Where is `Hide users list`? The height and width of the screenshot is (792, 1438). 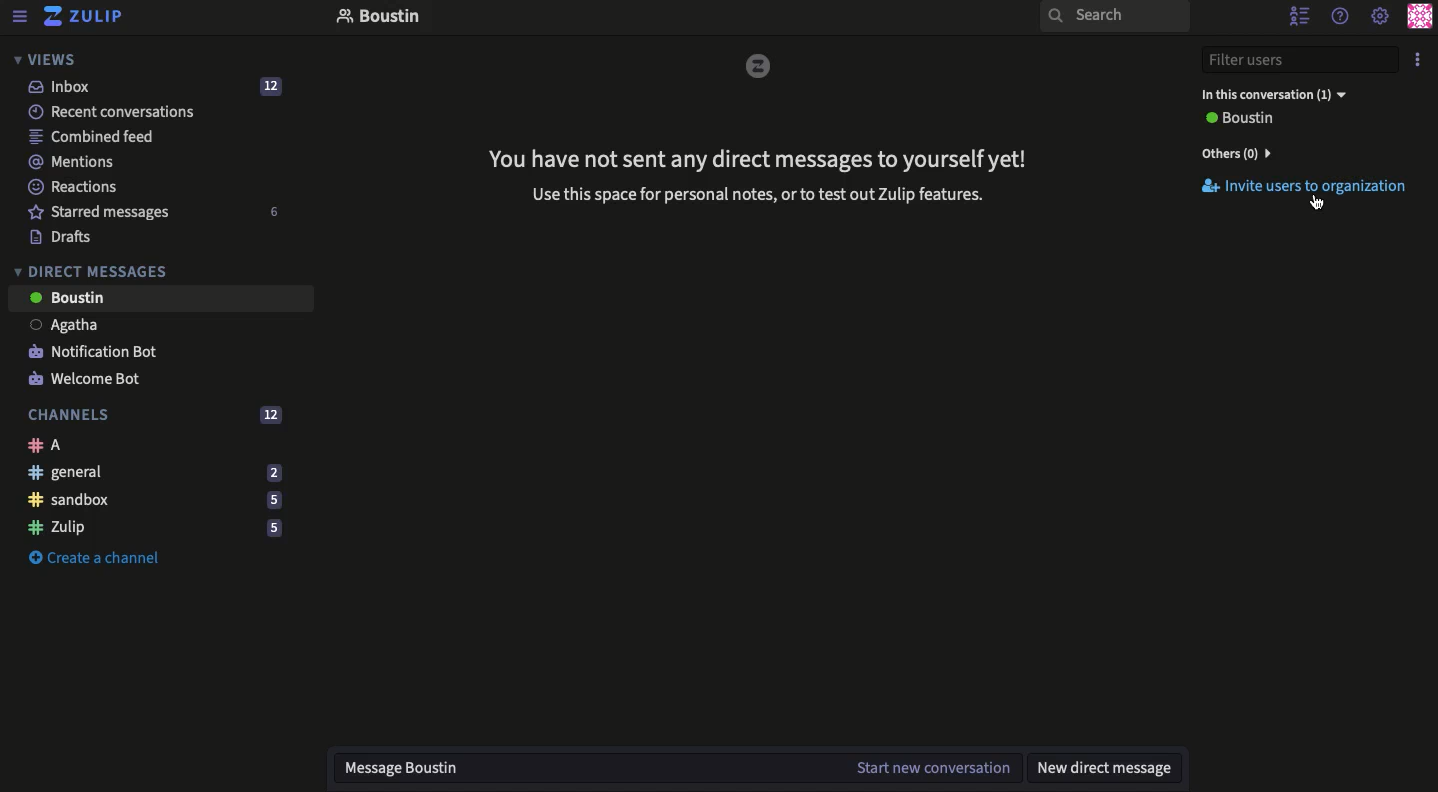 Hide users list is located at coordinates (1297, 15).